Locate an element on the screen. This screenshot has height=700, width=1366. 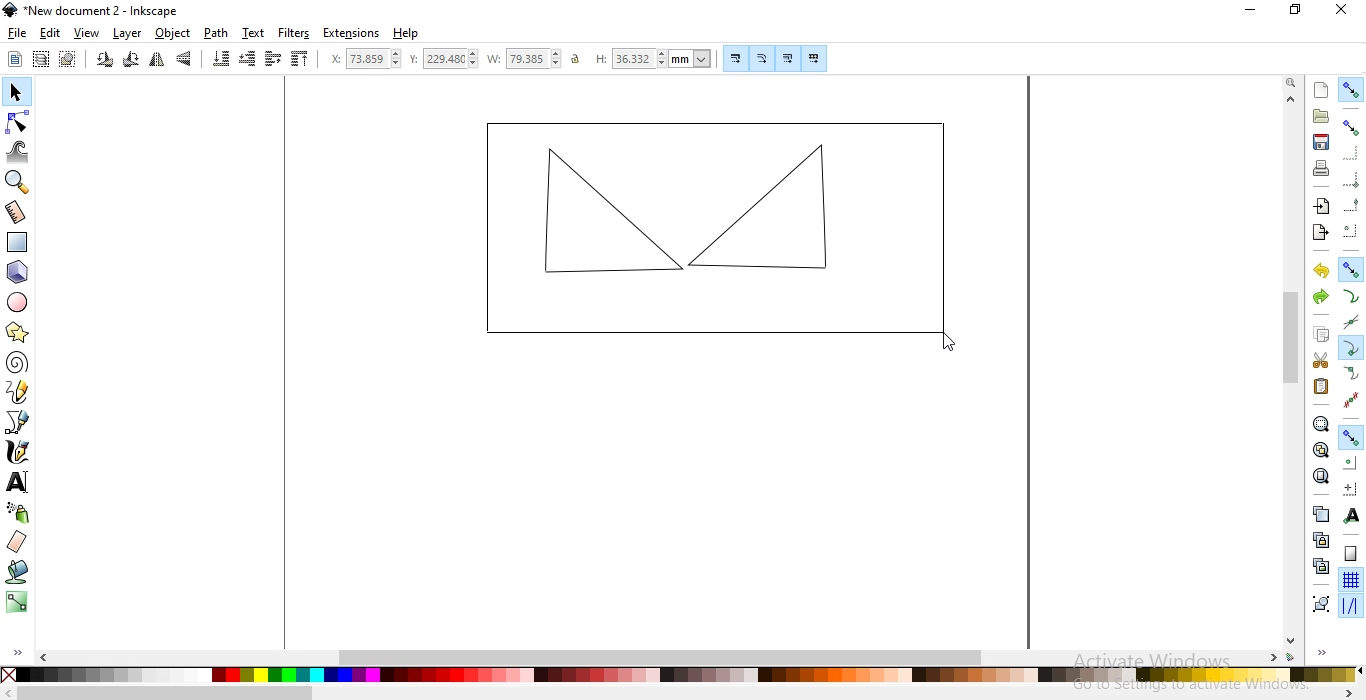
create and edit text objects is located at coordinates (18, 484).